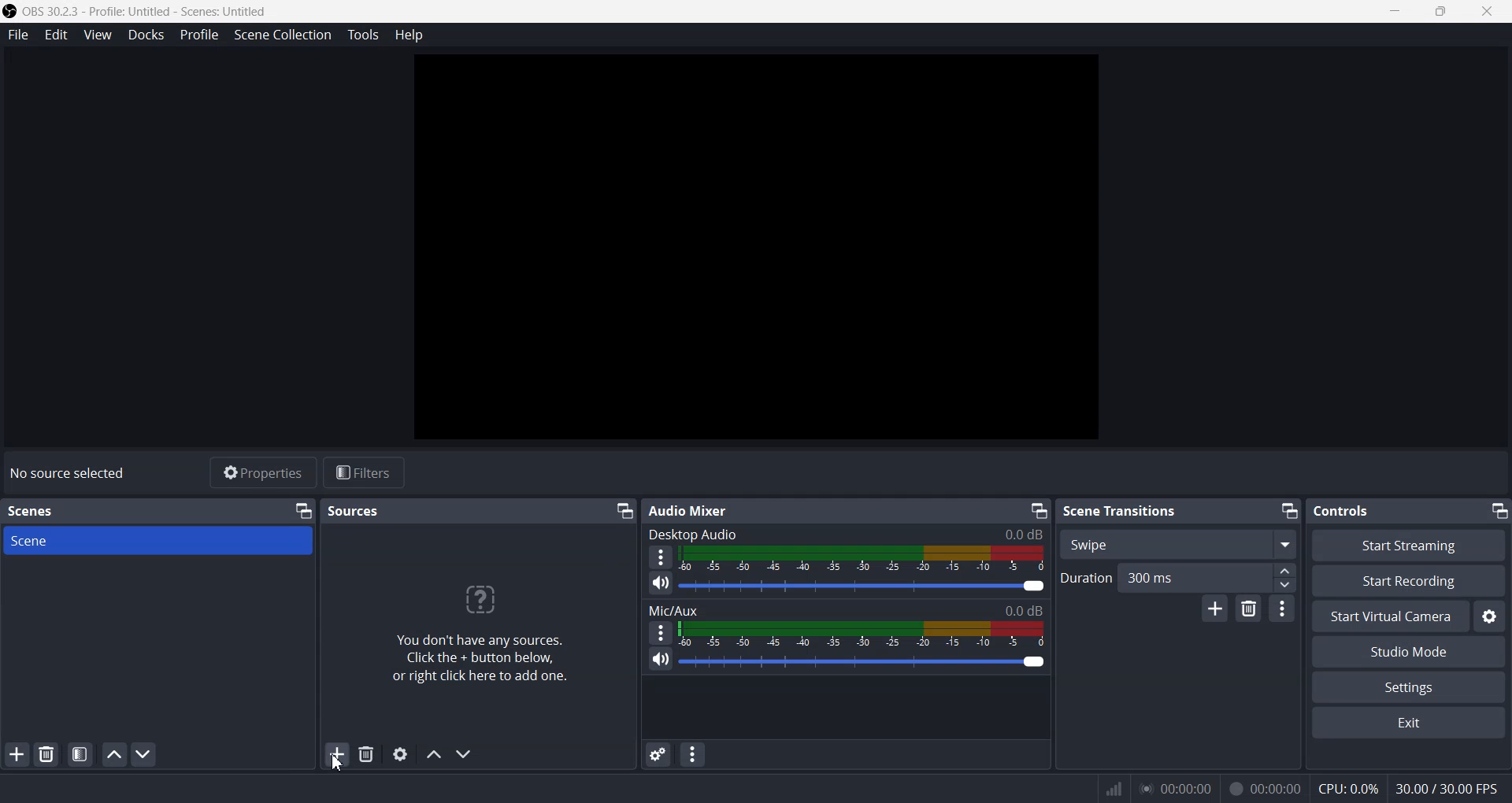  What do you see at coordinates (1037, 510) in the screenshot?
I see `Minimize` at bounding box center [1037, 510].